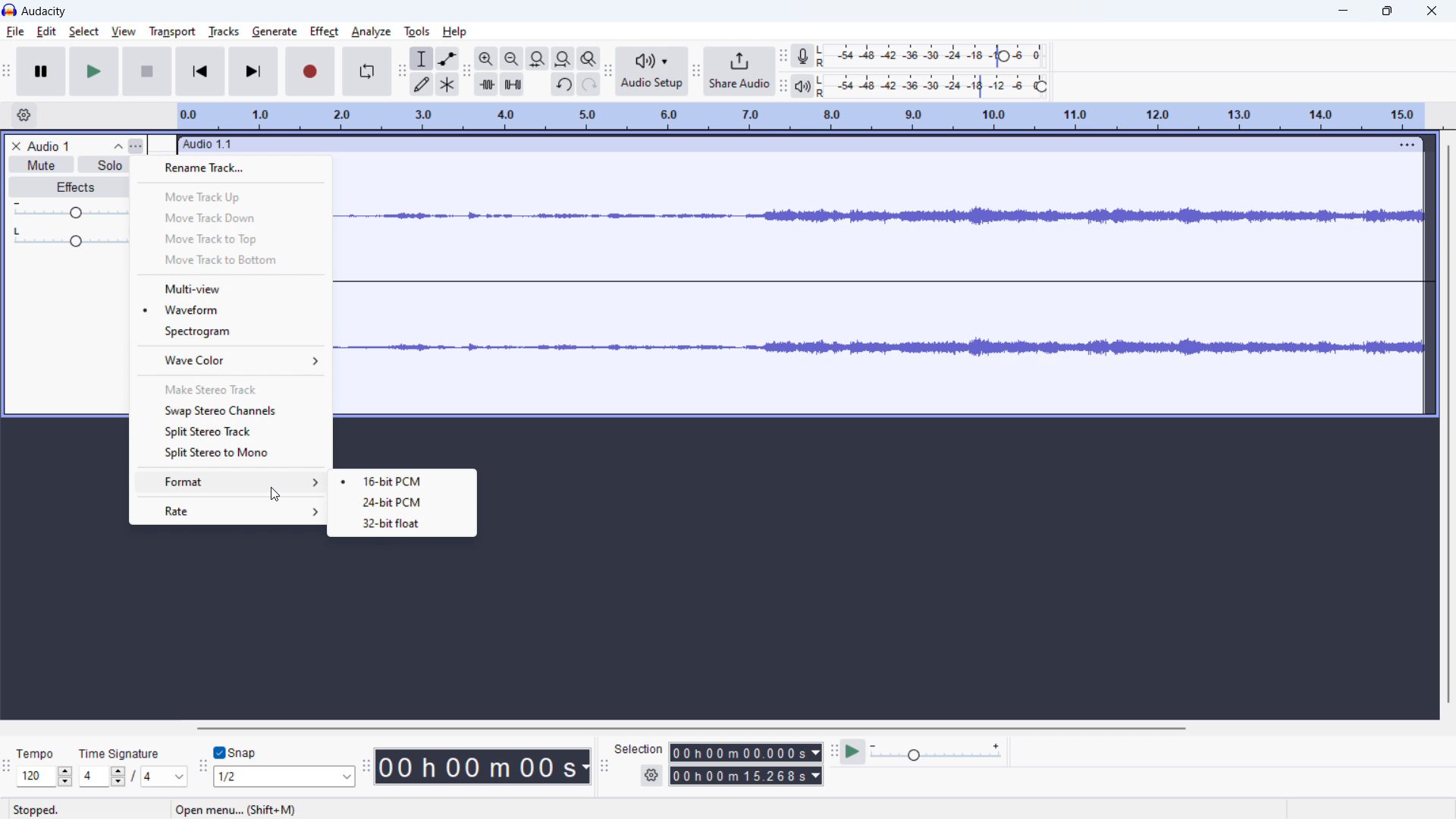 Image resolution: width=1456 pixels, height=819 pixels. Describe the element at coordinates (14, 32) in the screenshot. I see `file` at that location.